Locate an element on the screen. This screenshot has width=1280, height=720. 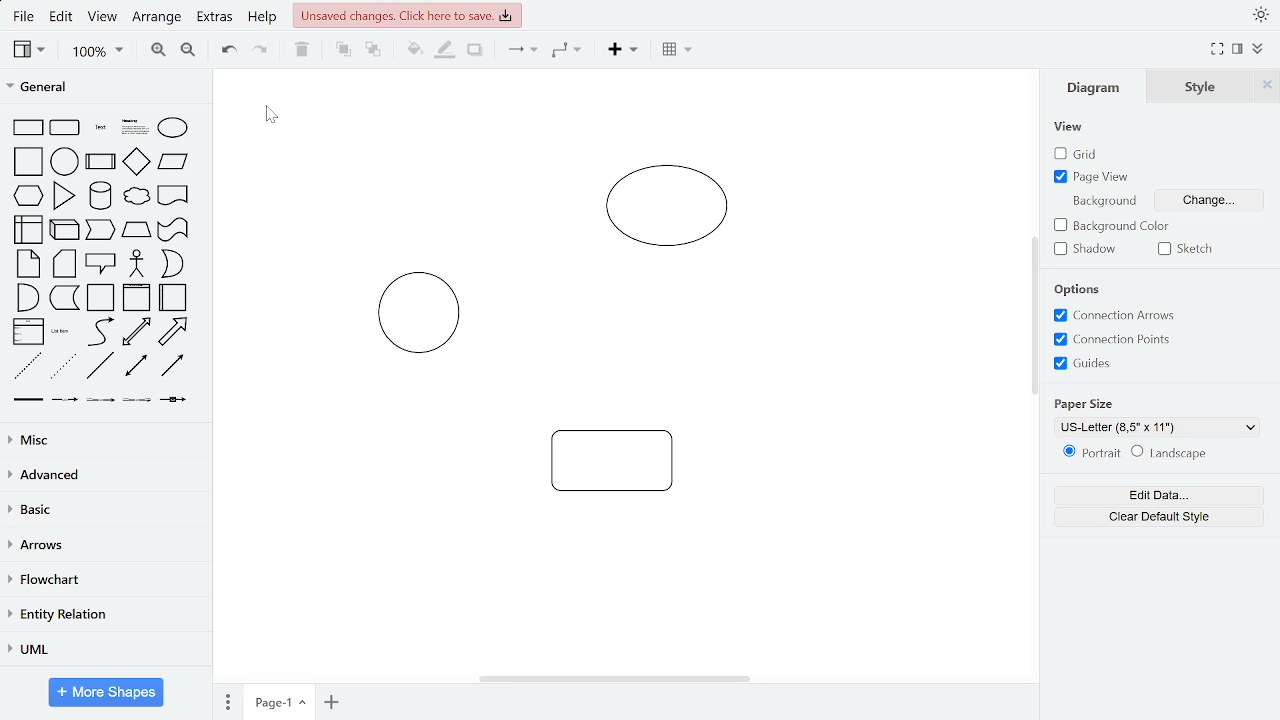
horizontal container is located at coordinates (175, 297).